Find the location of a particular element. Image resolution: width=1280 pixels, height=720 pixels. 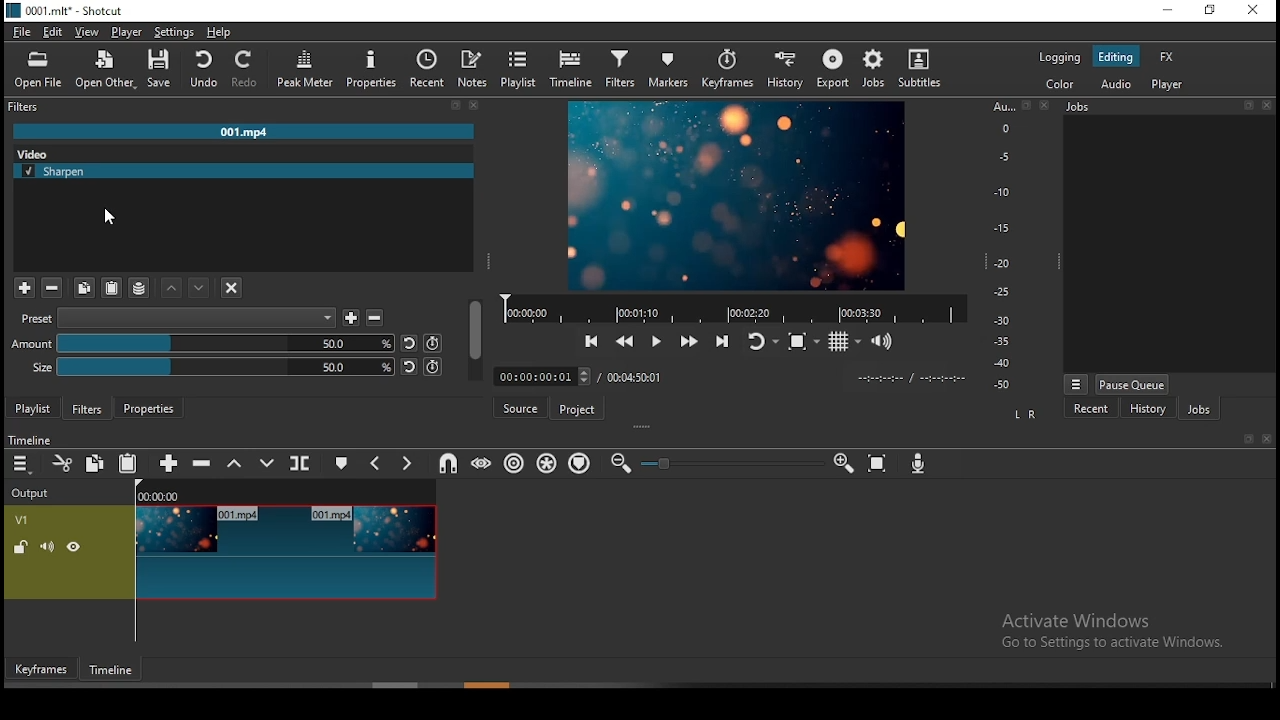

scroll bar is located at coordinates (491, 685).